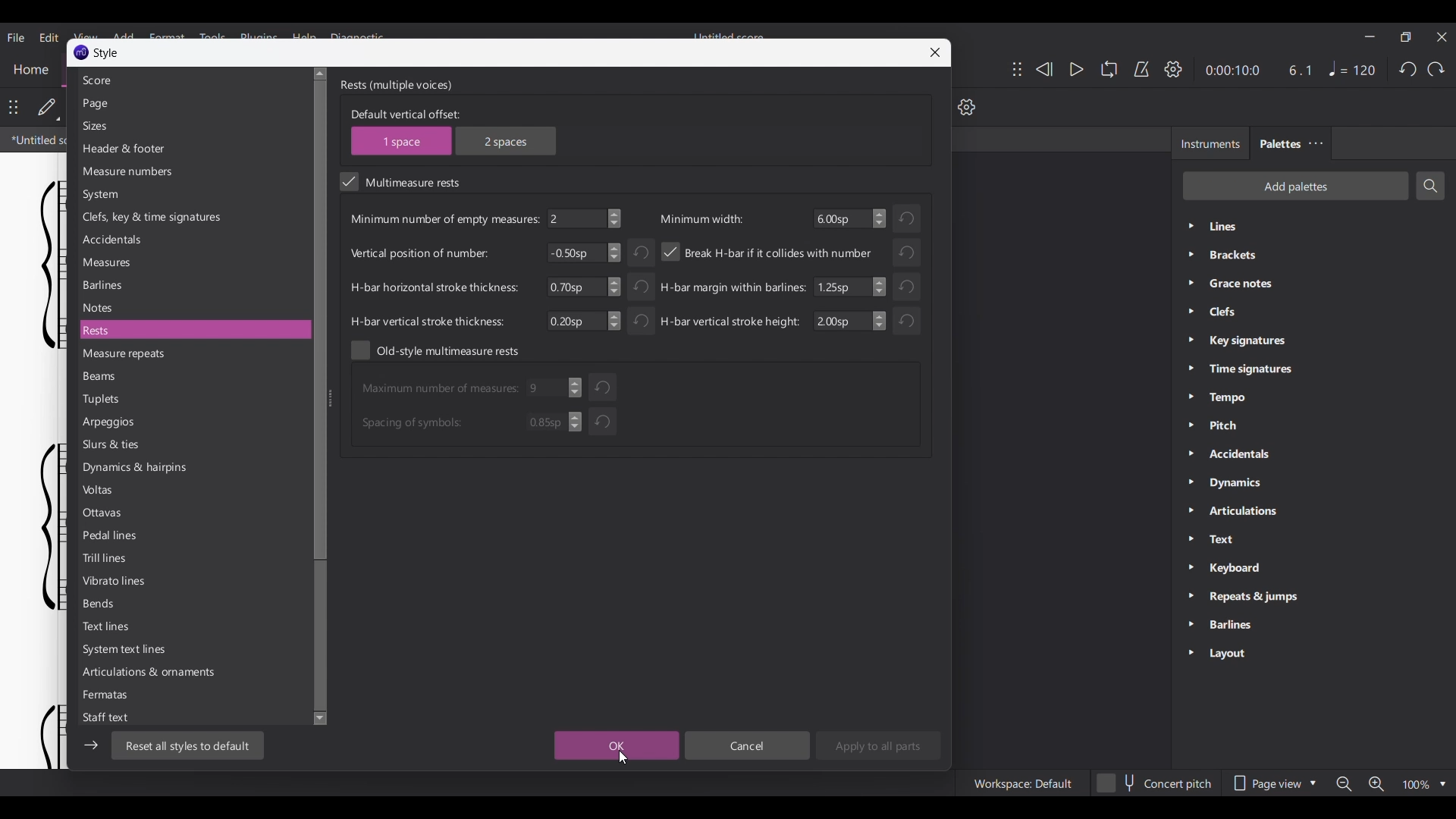 The width and height of the screenshot is (1456, 819). Describe the element at coordinates (192, 240) in the screenshot. I see `Accidentals` at that location.